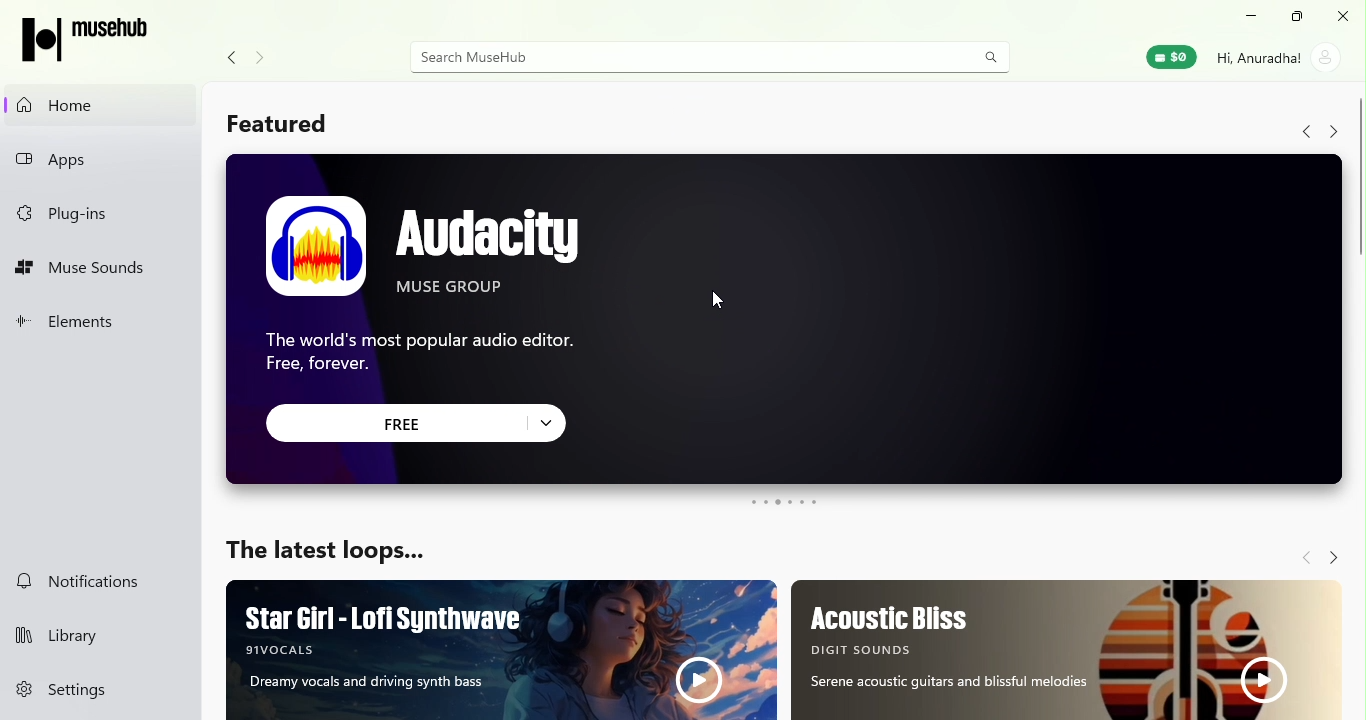 This screenshot has height=720, width=1366. I want to click on swipe buttons, so click(785, 503).